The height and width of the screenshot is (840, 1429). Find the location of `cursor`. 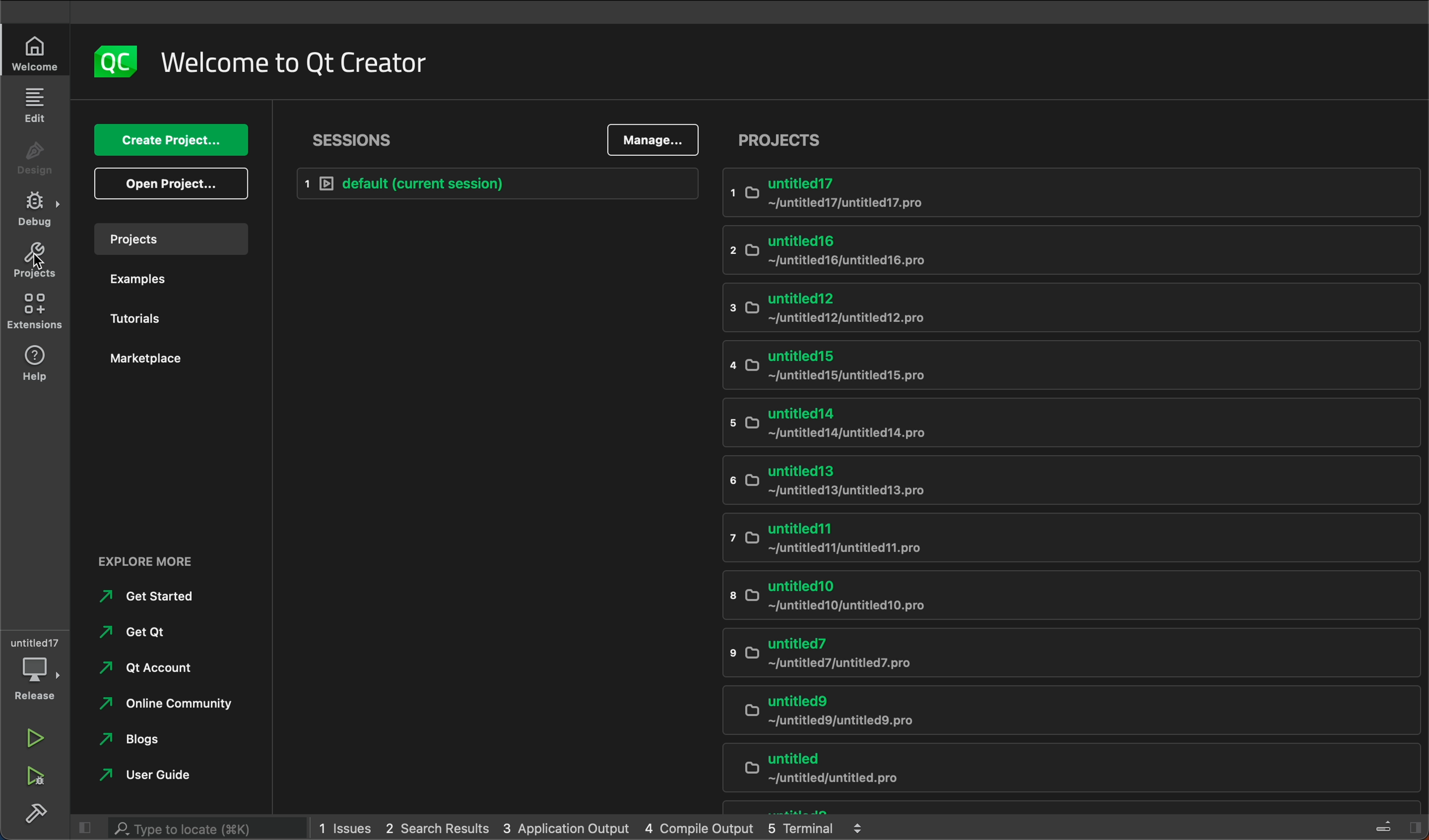

cursor is located at coordinates (37, 262).